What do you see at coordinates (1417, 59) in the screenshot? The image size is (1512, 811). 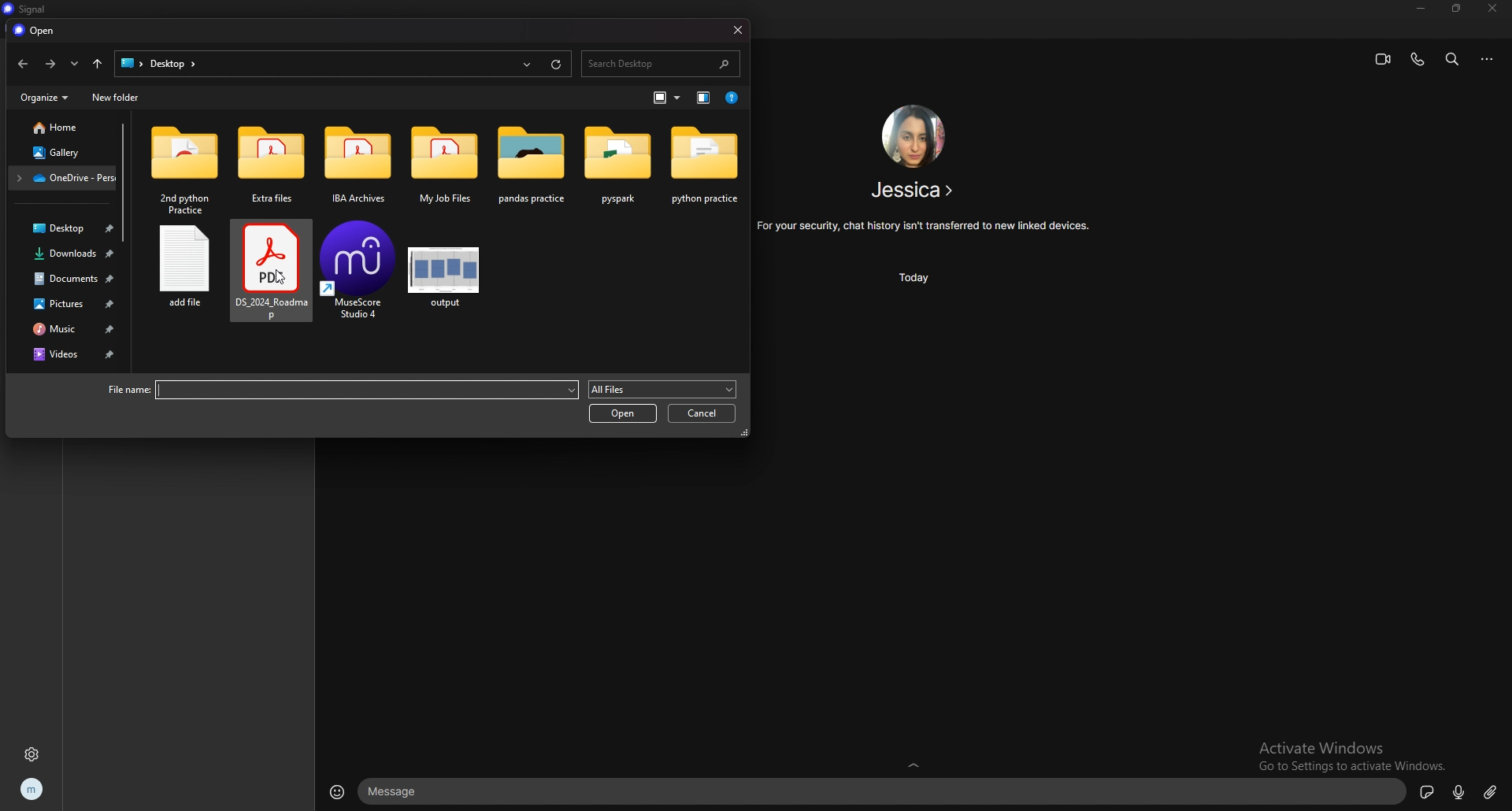 I see `voice call` at bounding box center [1417, 59].